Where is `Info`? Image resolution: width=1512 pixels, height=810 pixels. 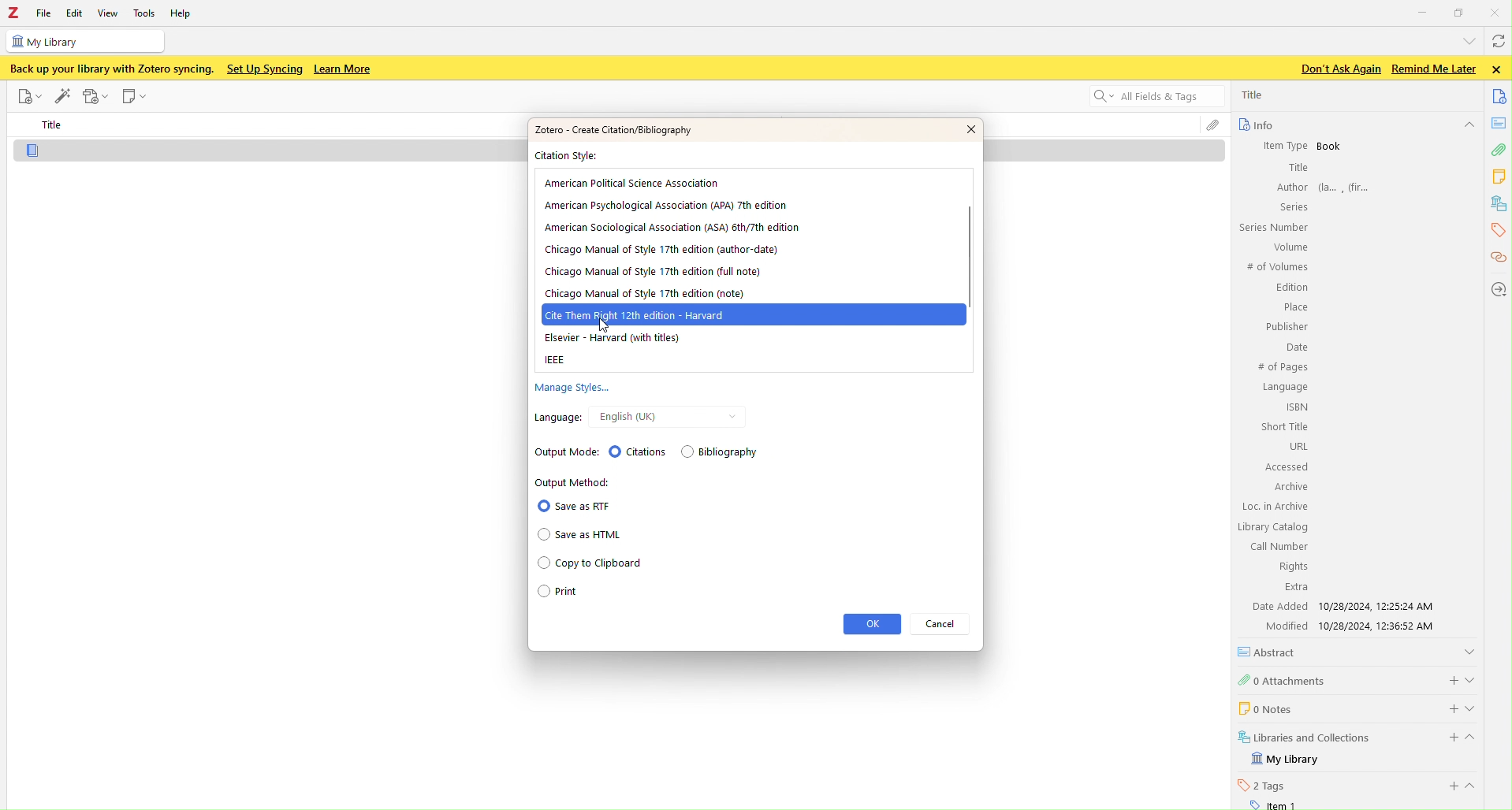 Info is located at coordinates (1255, 124).